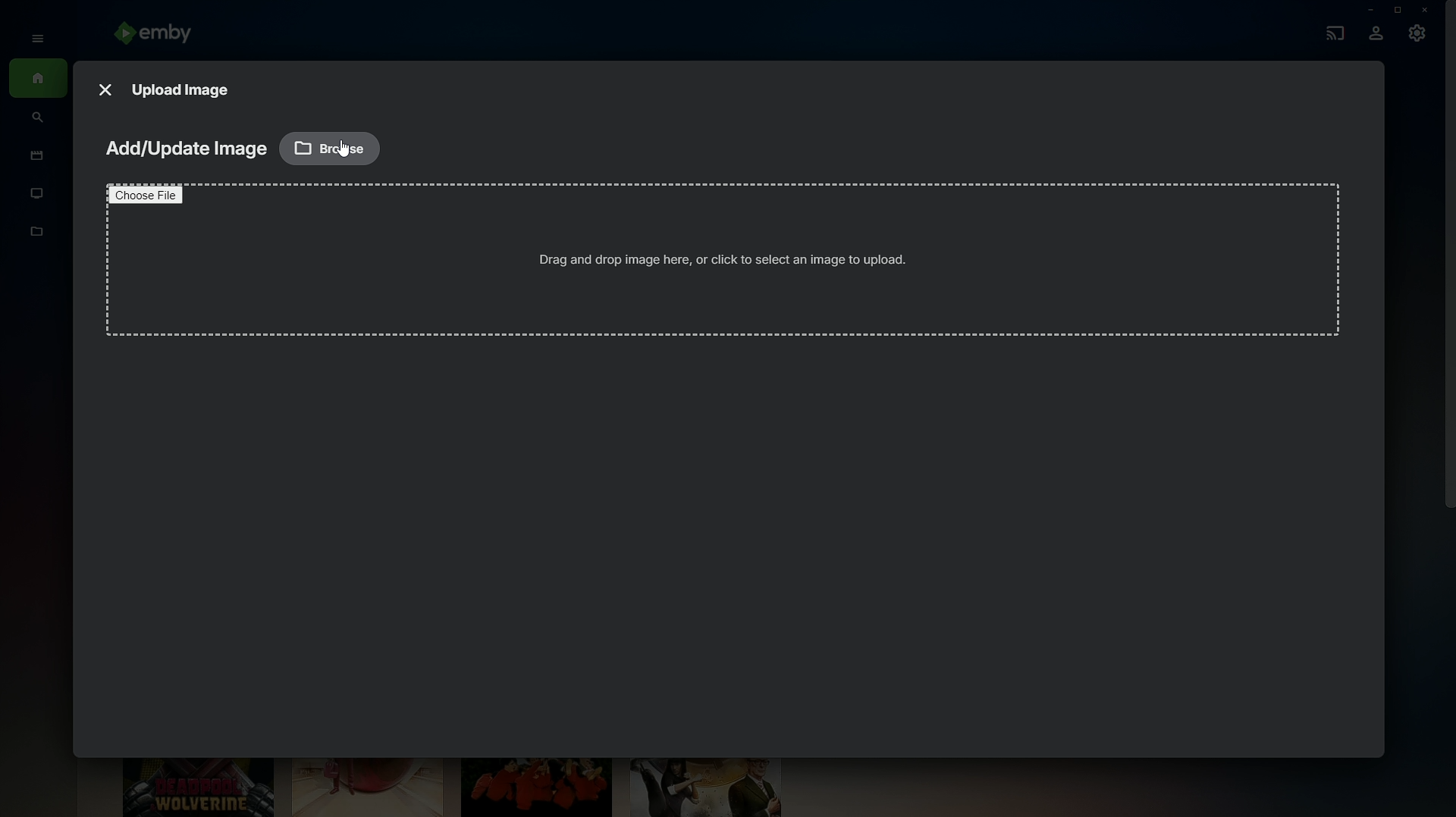 Image resolution: width=1456 pixels, height=817 pixels. I want to click on Metadata, so click(38, 239).